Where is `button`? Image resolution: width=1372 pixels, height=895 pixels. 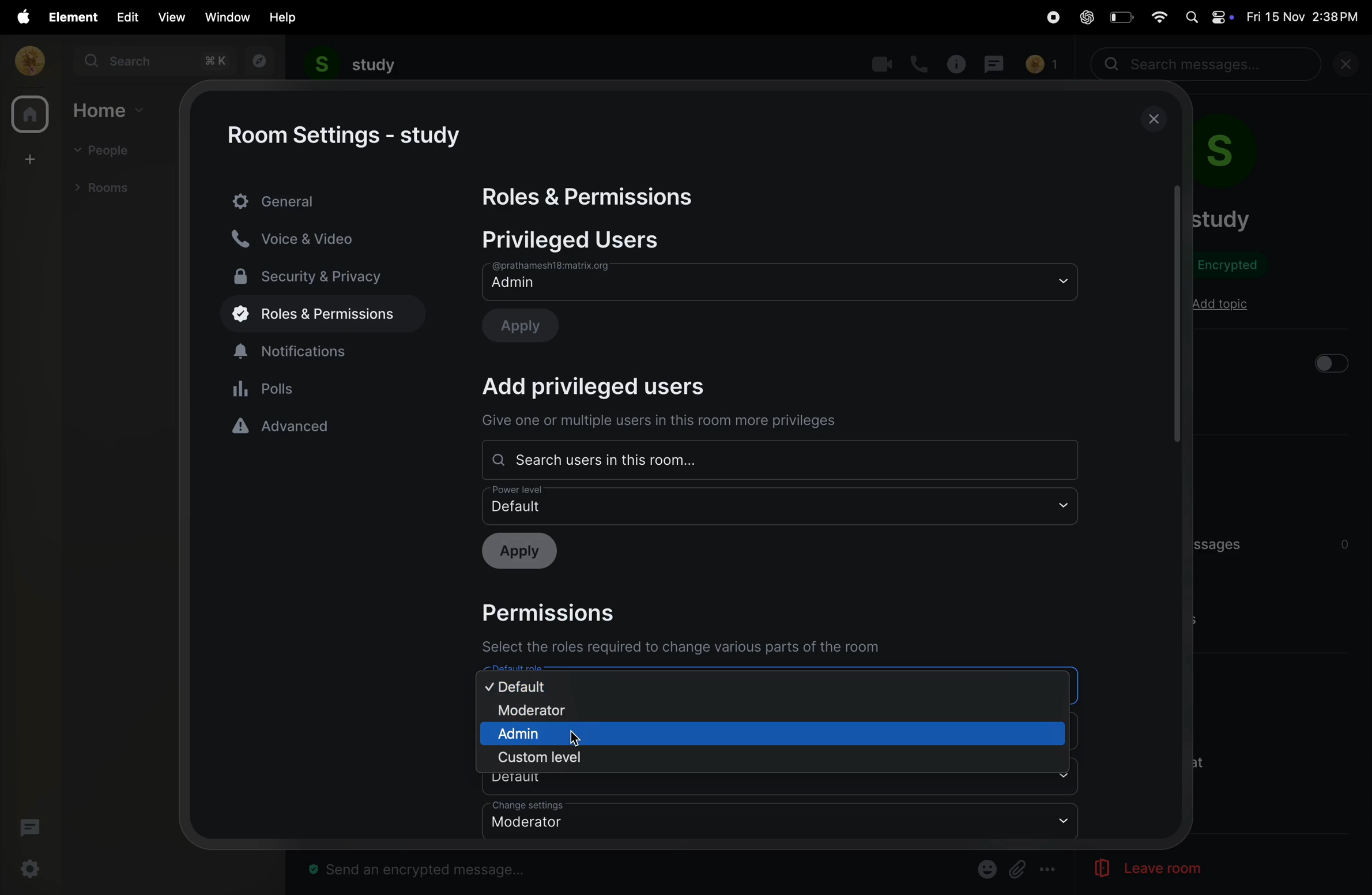 button is located at coordinates (1330, 363).